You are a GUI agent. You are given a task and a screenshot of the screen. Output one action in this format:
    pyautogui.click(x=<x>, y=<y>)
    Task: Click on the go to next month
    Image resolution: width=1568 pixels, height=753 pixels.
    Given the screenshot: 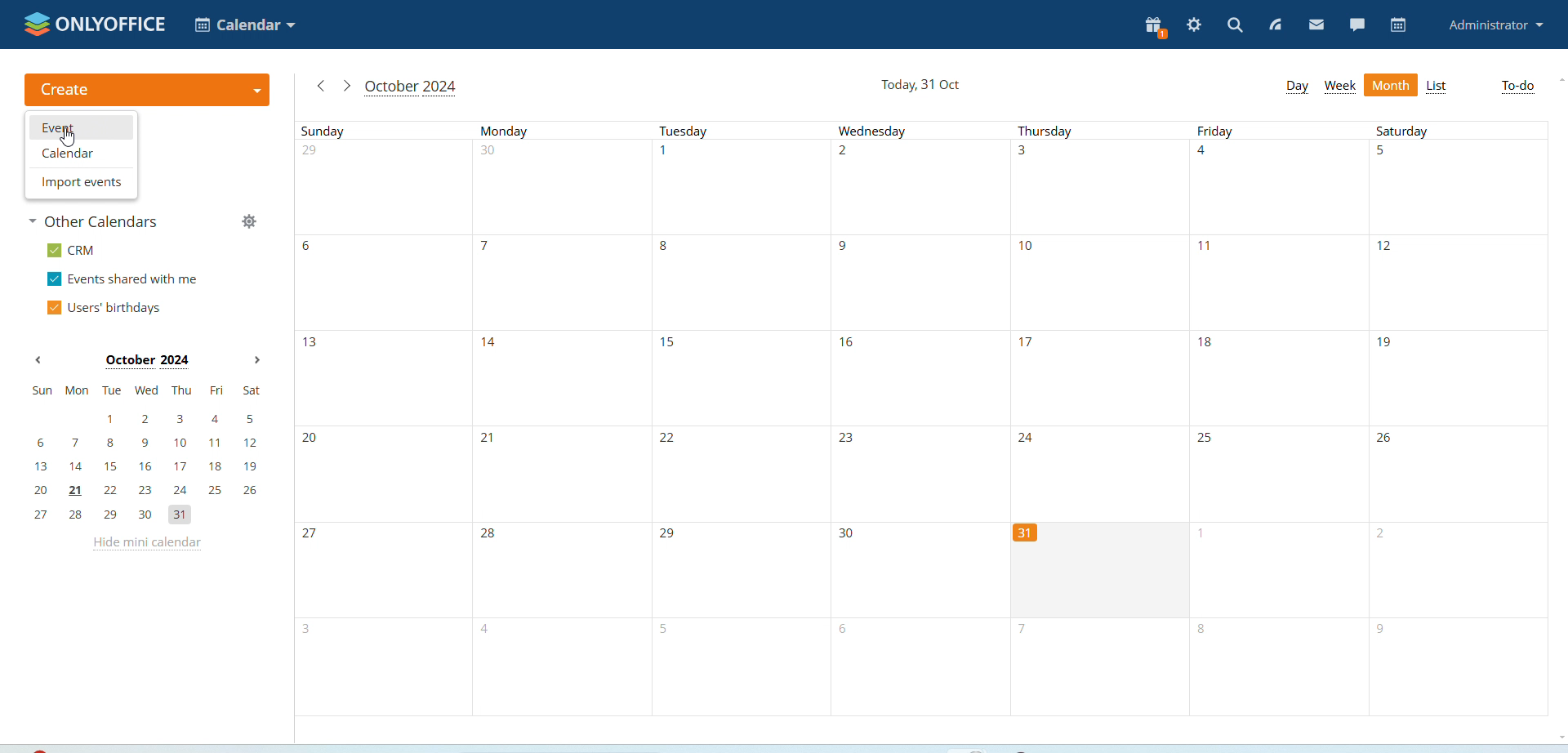 What is the action you would take?
    pyautogui.click(x=345, y=84)
    